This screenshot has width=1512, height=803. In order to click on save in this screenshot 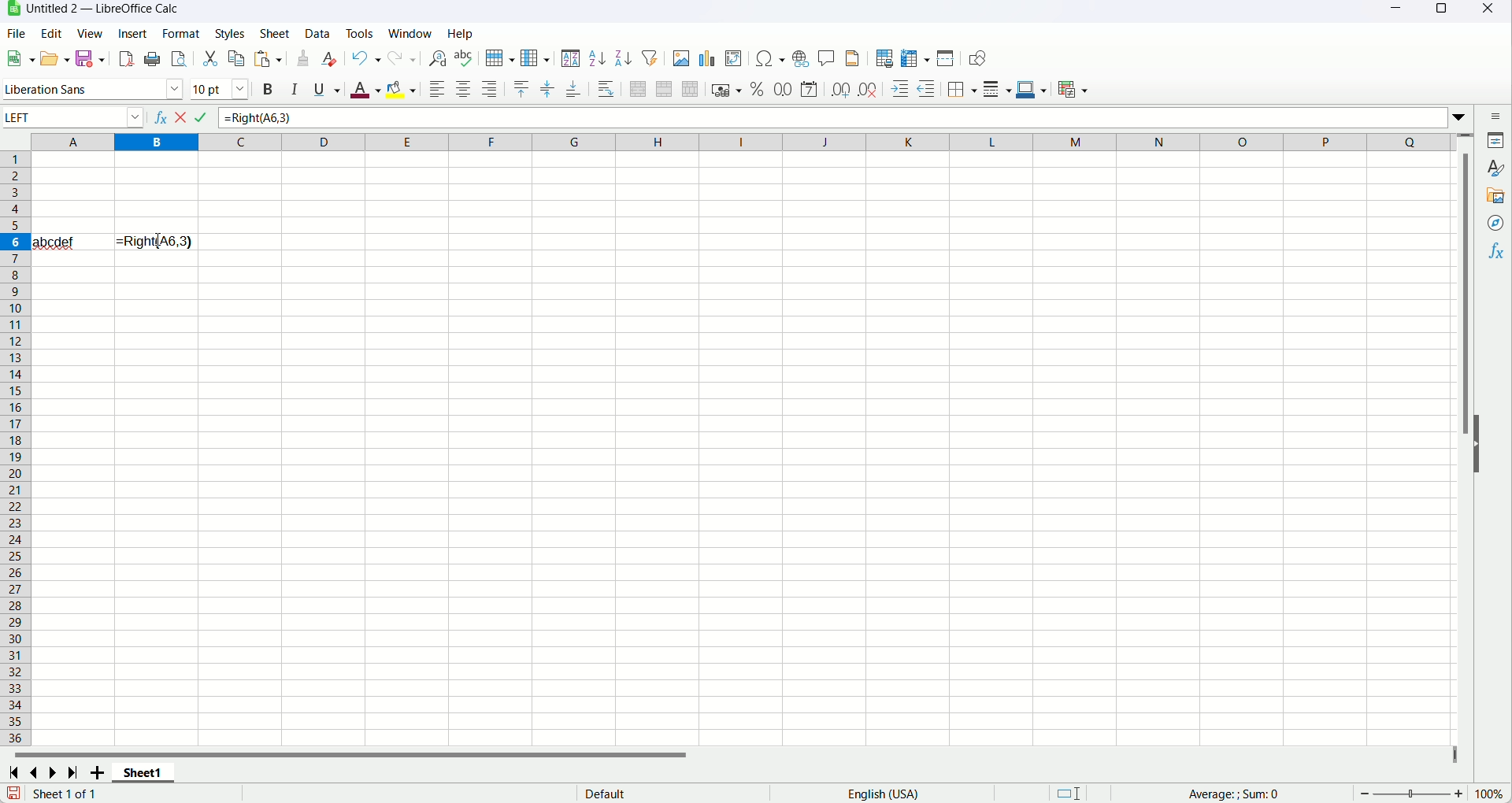, I will do `click(14, 793)`.